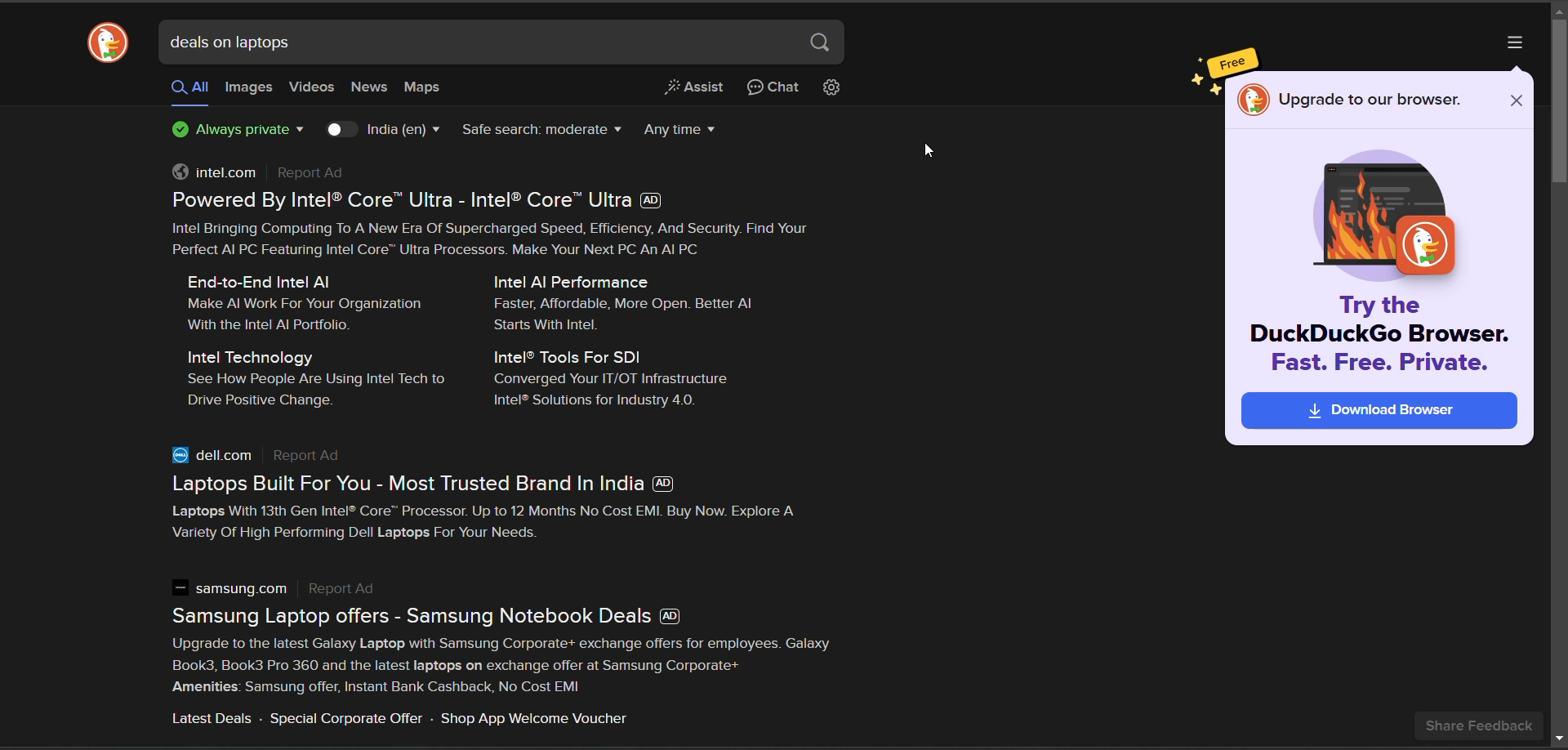  Describe the element at coordinates (504, 242) in the screenshot. I see `Intel Bringing Computing To A New Era Of Supercharged Speed, Efficiency, And Security. Find Your
Perfect Al PC Featuring Intel Core™ Ultra Processors. Make Your Next PC An Al PC` at that location.